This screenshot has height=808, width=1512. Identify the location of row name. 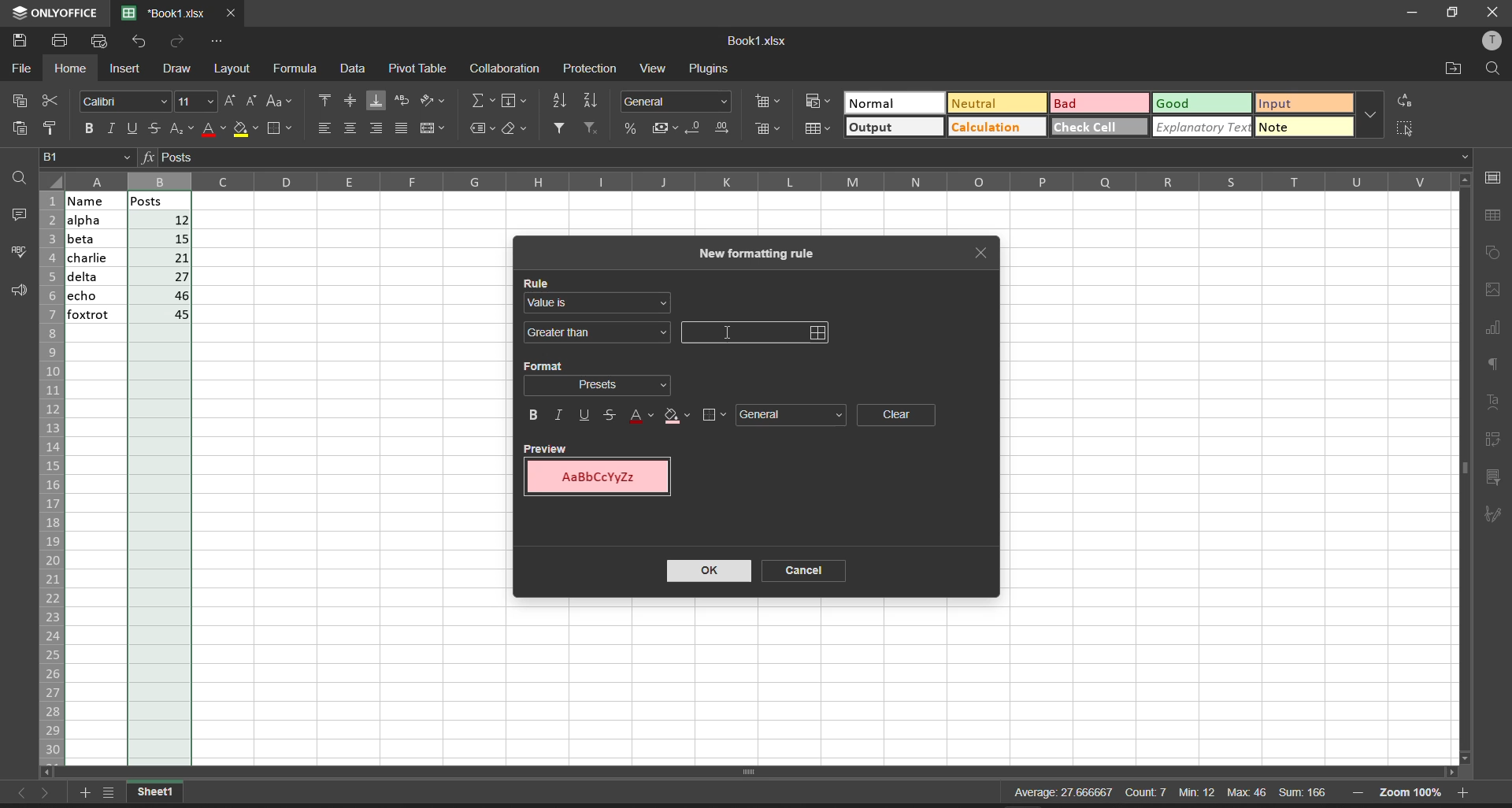
(54, 473).